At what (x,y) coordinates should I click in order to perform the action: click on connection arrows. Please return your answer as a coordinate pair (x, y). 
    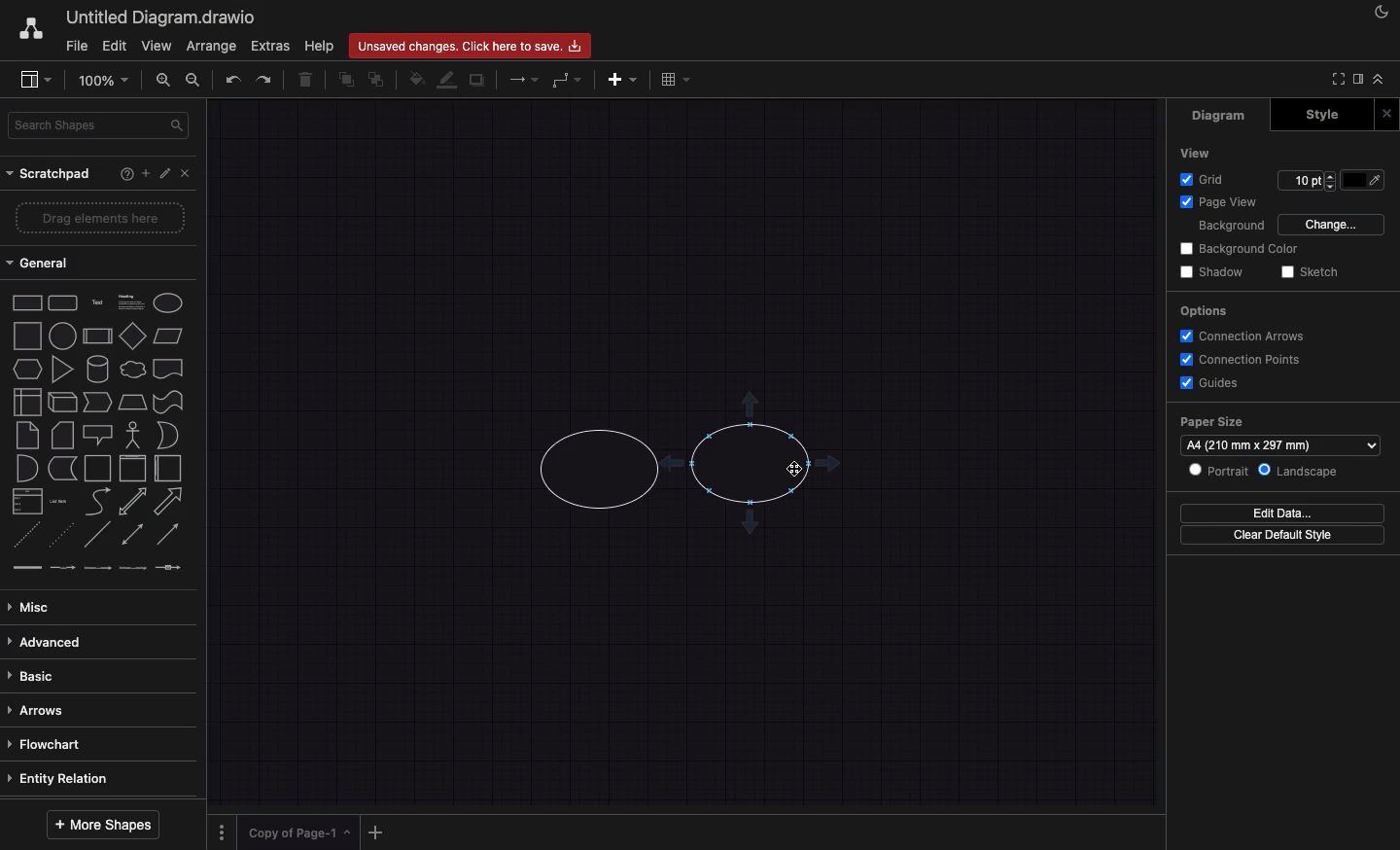
    Looking at the image, I should click on (1241, 336).